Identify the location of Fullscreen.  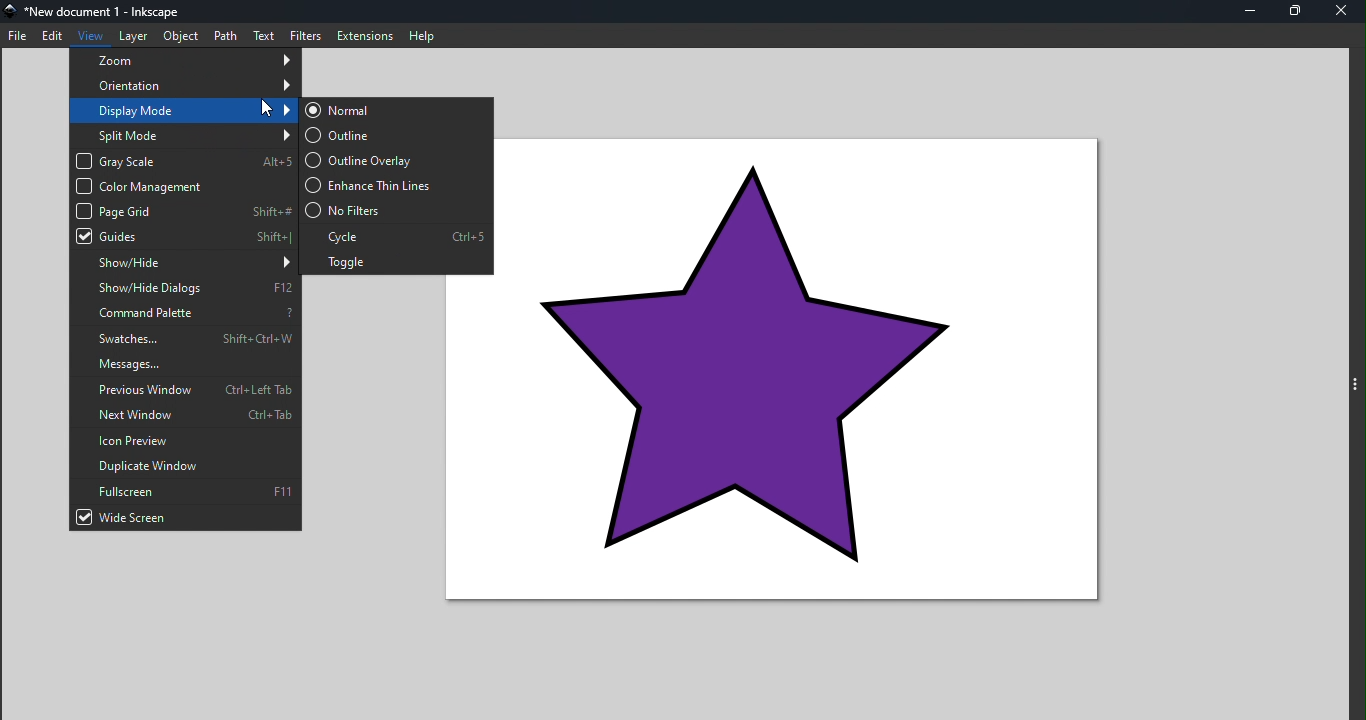
(184, 490).